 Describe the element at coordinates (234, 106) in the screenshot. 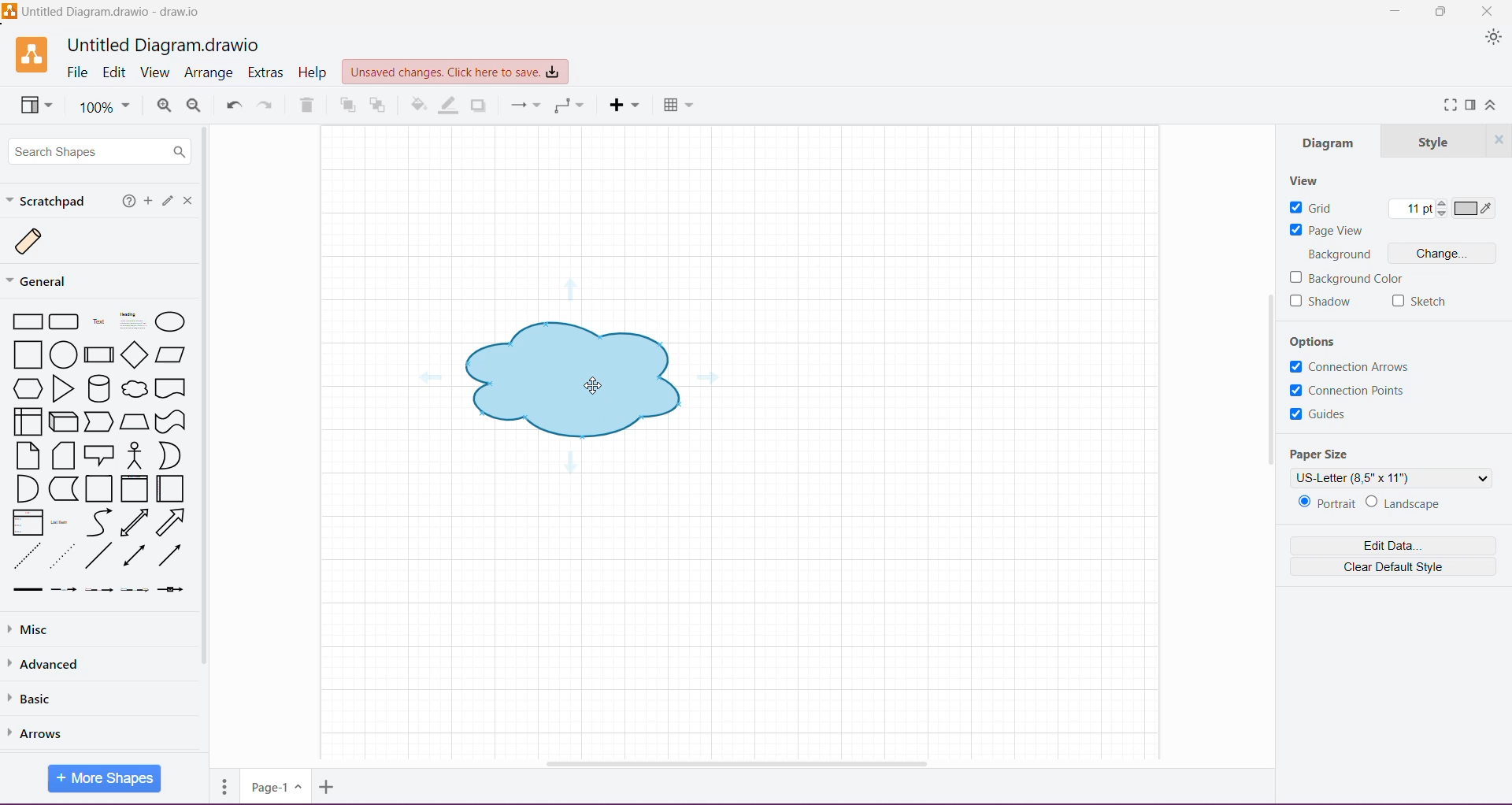

I see `Undo` at that location.